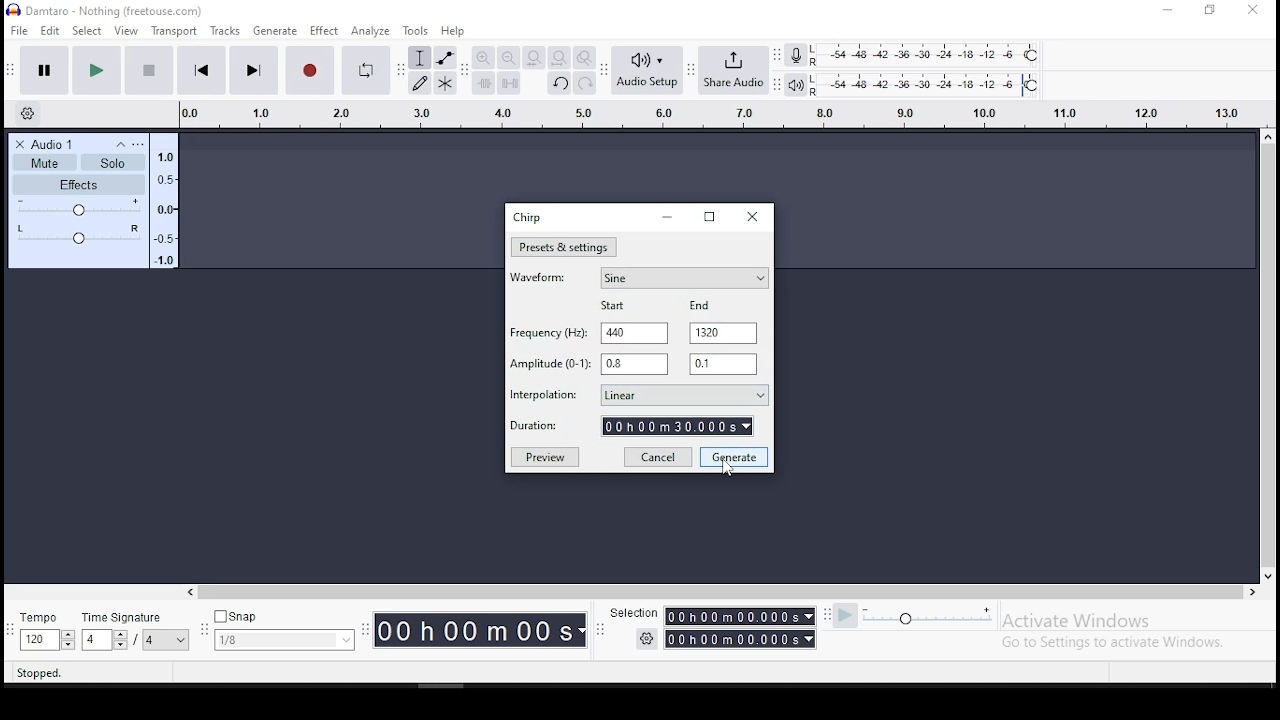  I want to click on activate windows, so click(1128, 630).